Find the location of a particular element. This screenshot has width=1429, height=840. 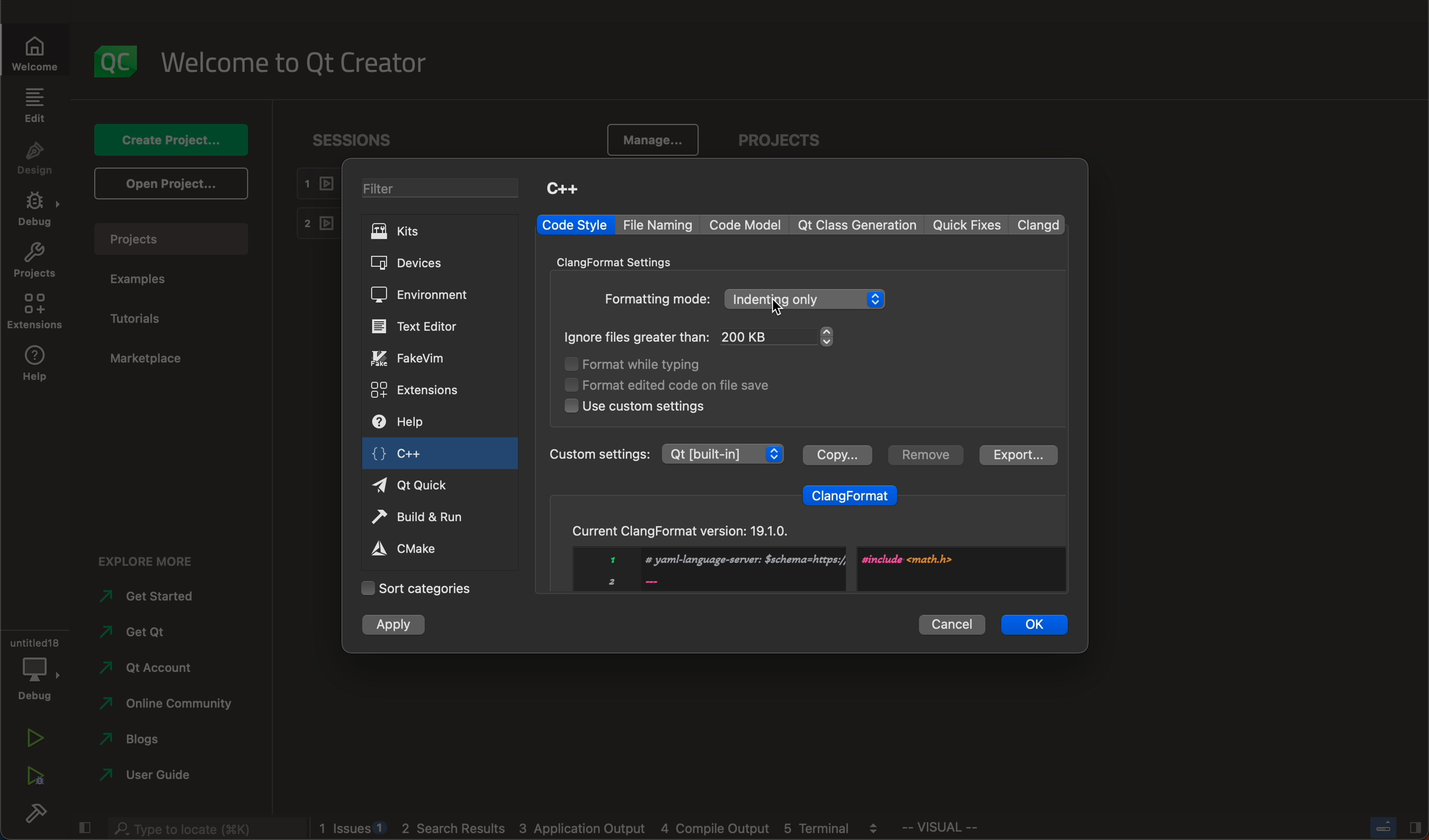

search bar is located at coordinates (204, 826).